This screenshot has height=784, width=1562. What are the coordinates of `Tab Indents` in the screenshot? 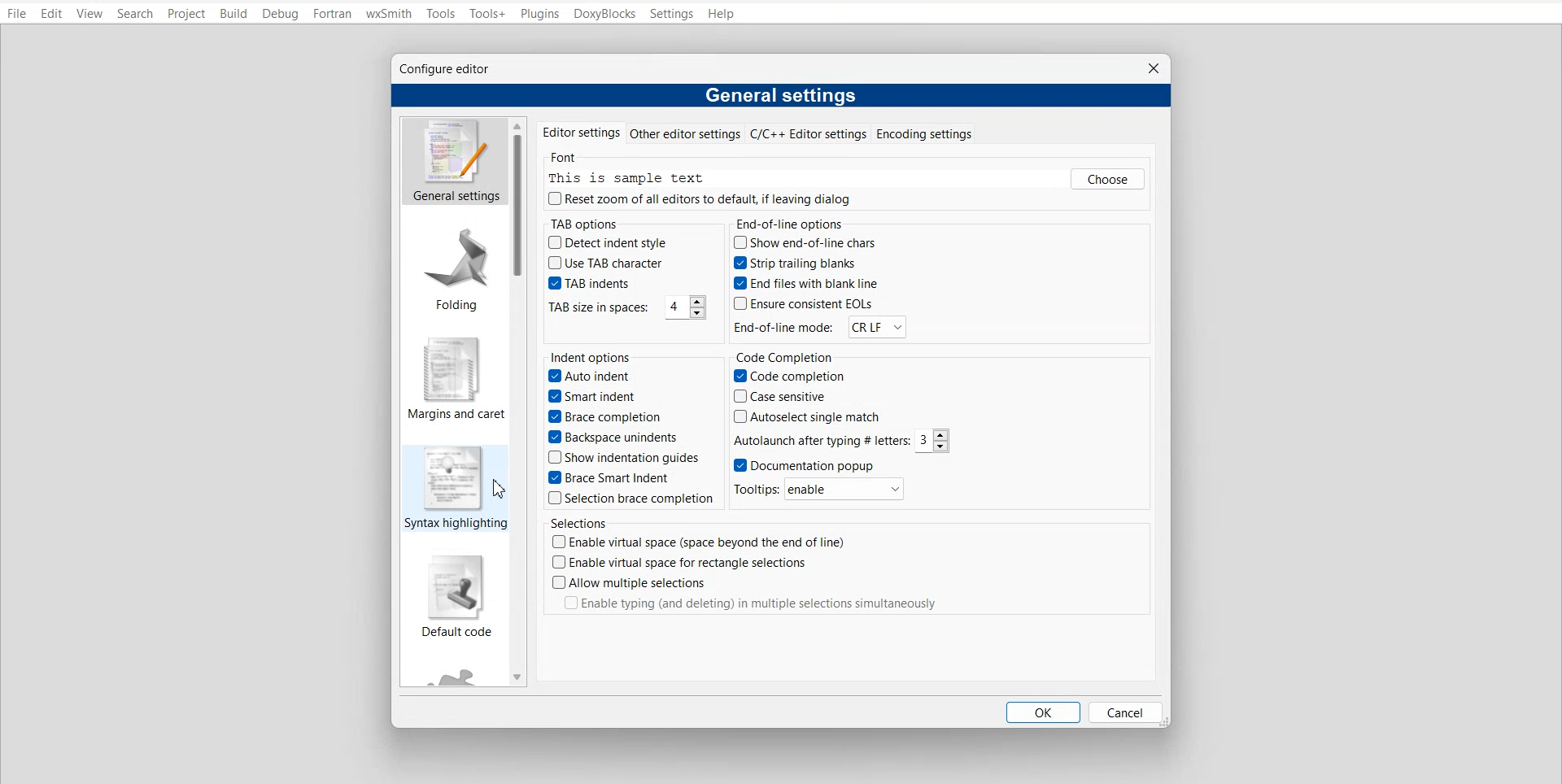 It's located at (591, 285).